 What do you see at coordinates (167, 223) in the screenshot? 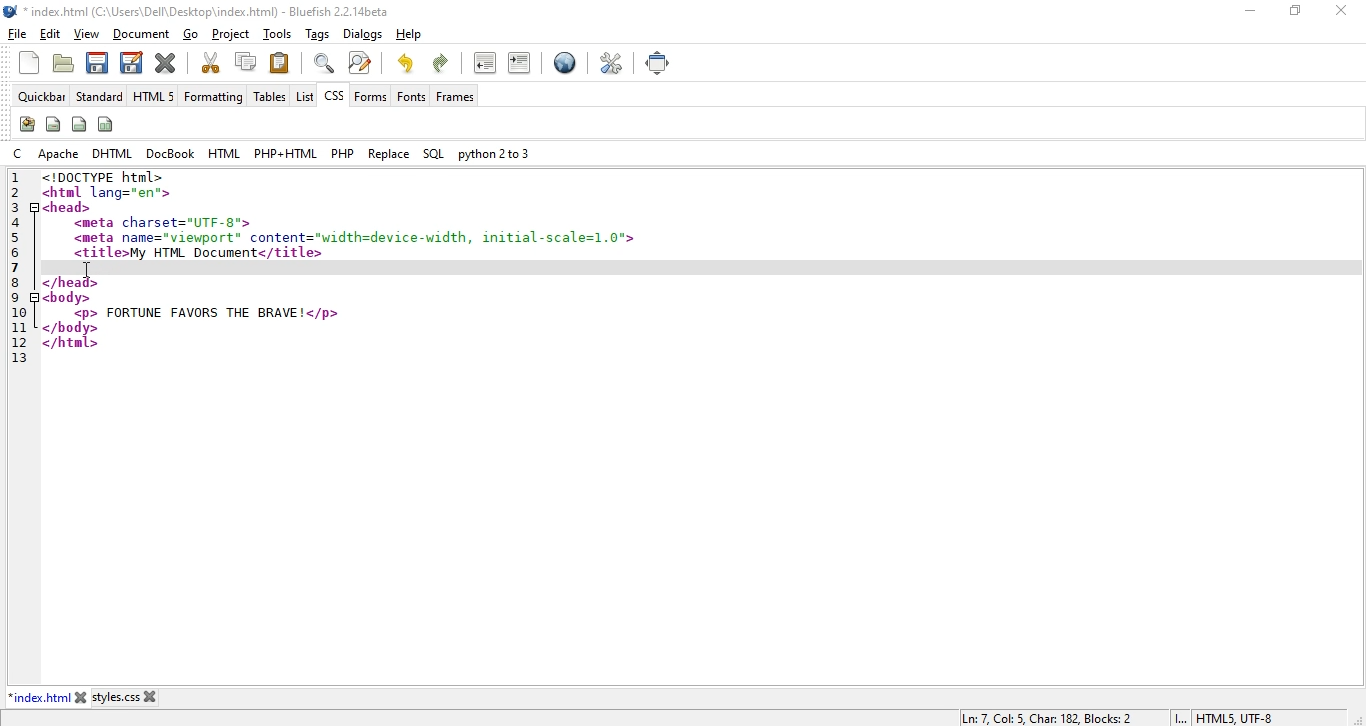
I see `<meta charset="UTF-8">` at bounding box center [167, 223].